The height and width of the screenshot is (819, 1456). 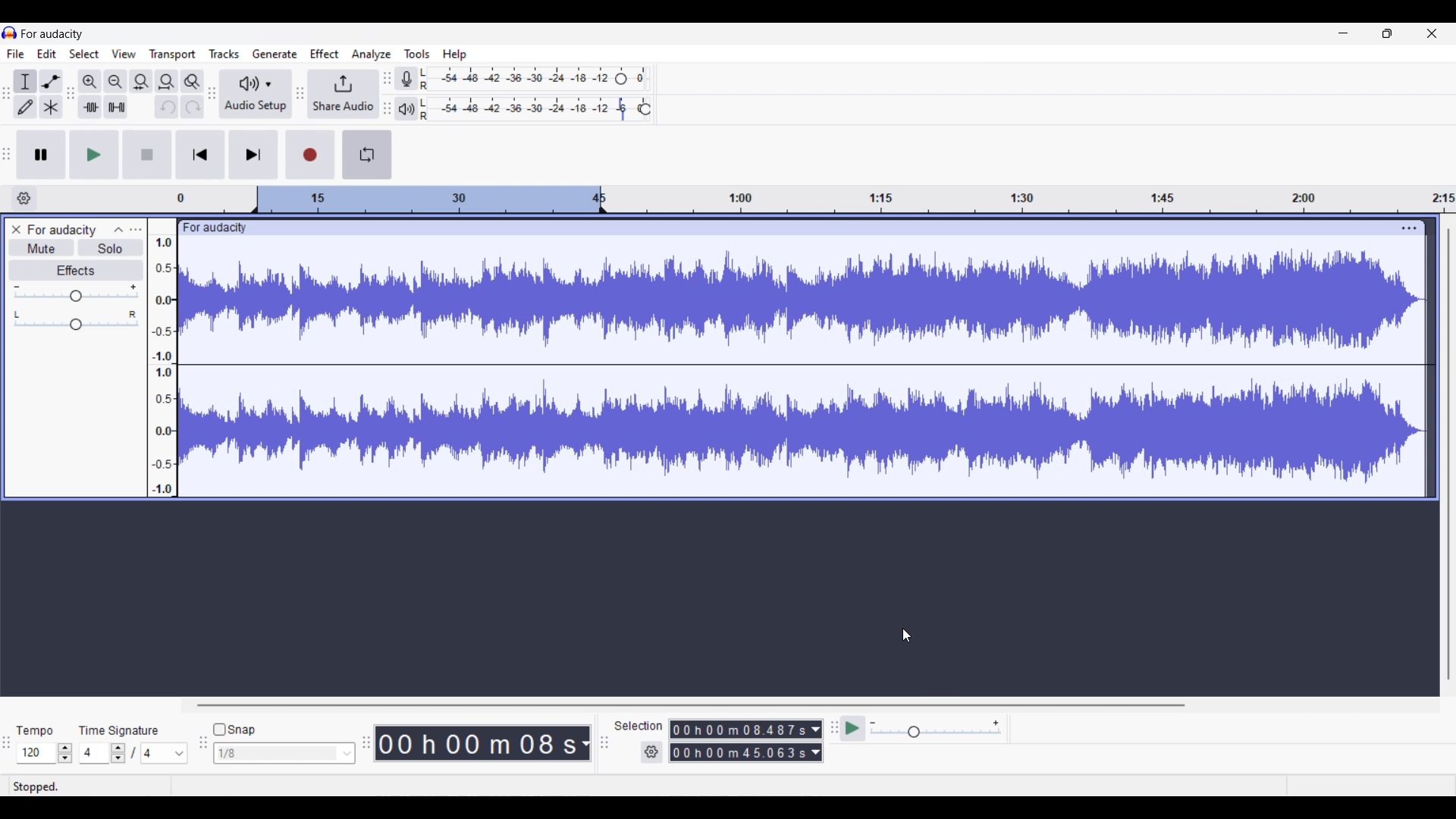 I want to click on Max. time signature options, so click(x=165, y=753).